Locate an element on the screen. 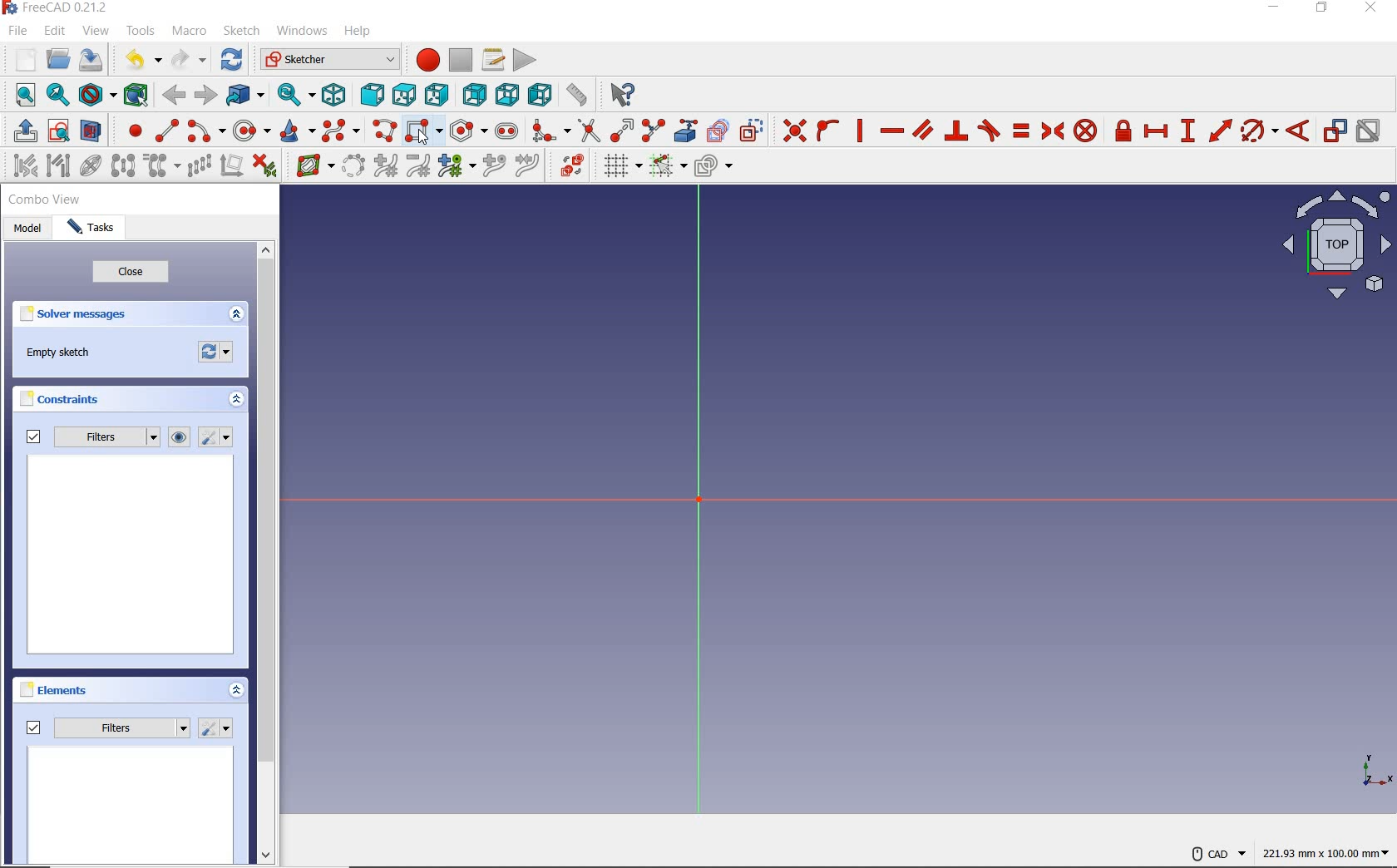 This screenshot has width=1397, height=868. file is located at coordinates (20, 32).